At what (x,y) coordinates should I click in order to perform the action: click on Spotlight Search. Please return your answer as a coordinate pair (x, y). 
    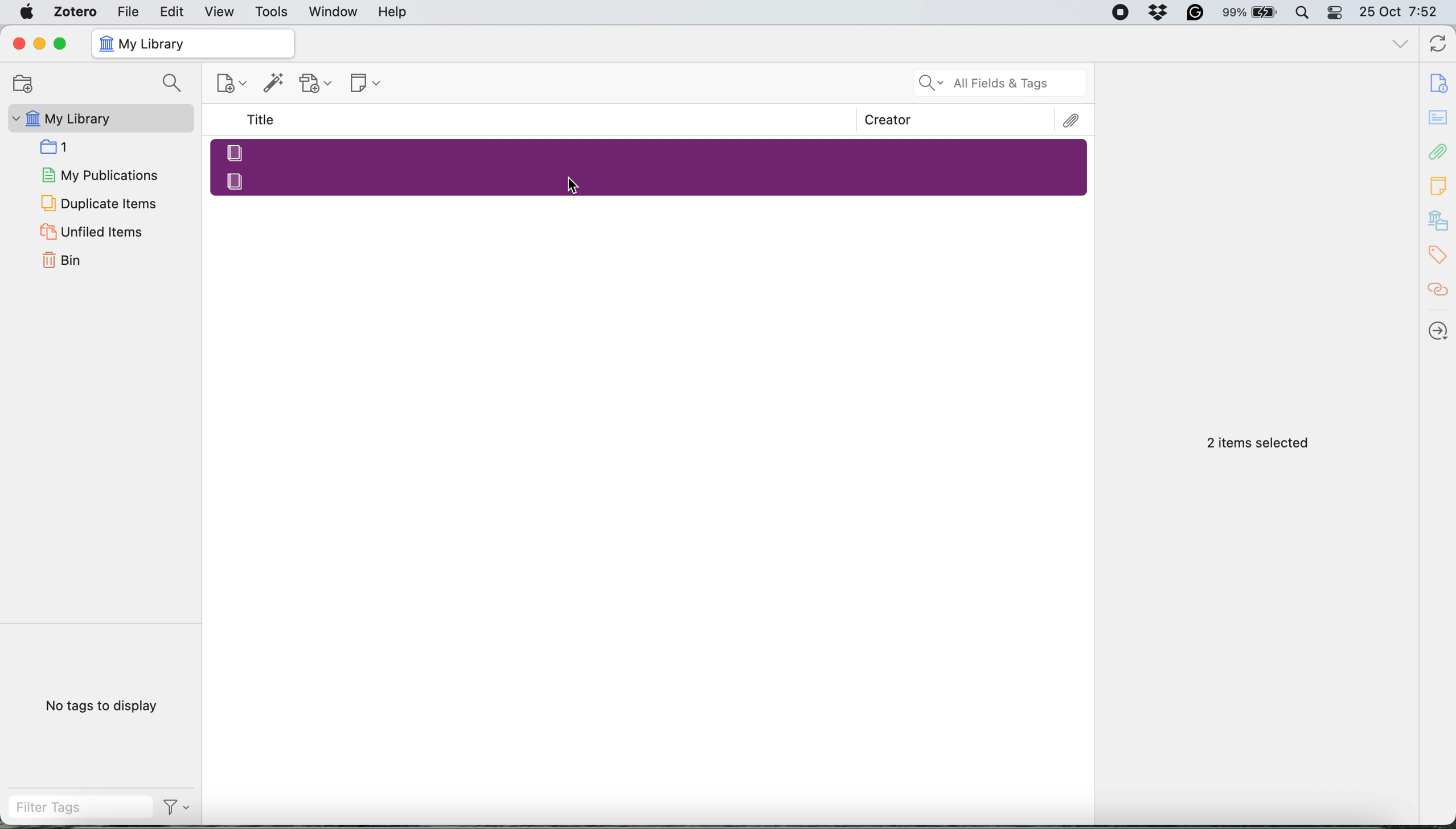
    Looking at the image, I should click on (1301, 13).